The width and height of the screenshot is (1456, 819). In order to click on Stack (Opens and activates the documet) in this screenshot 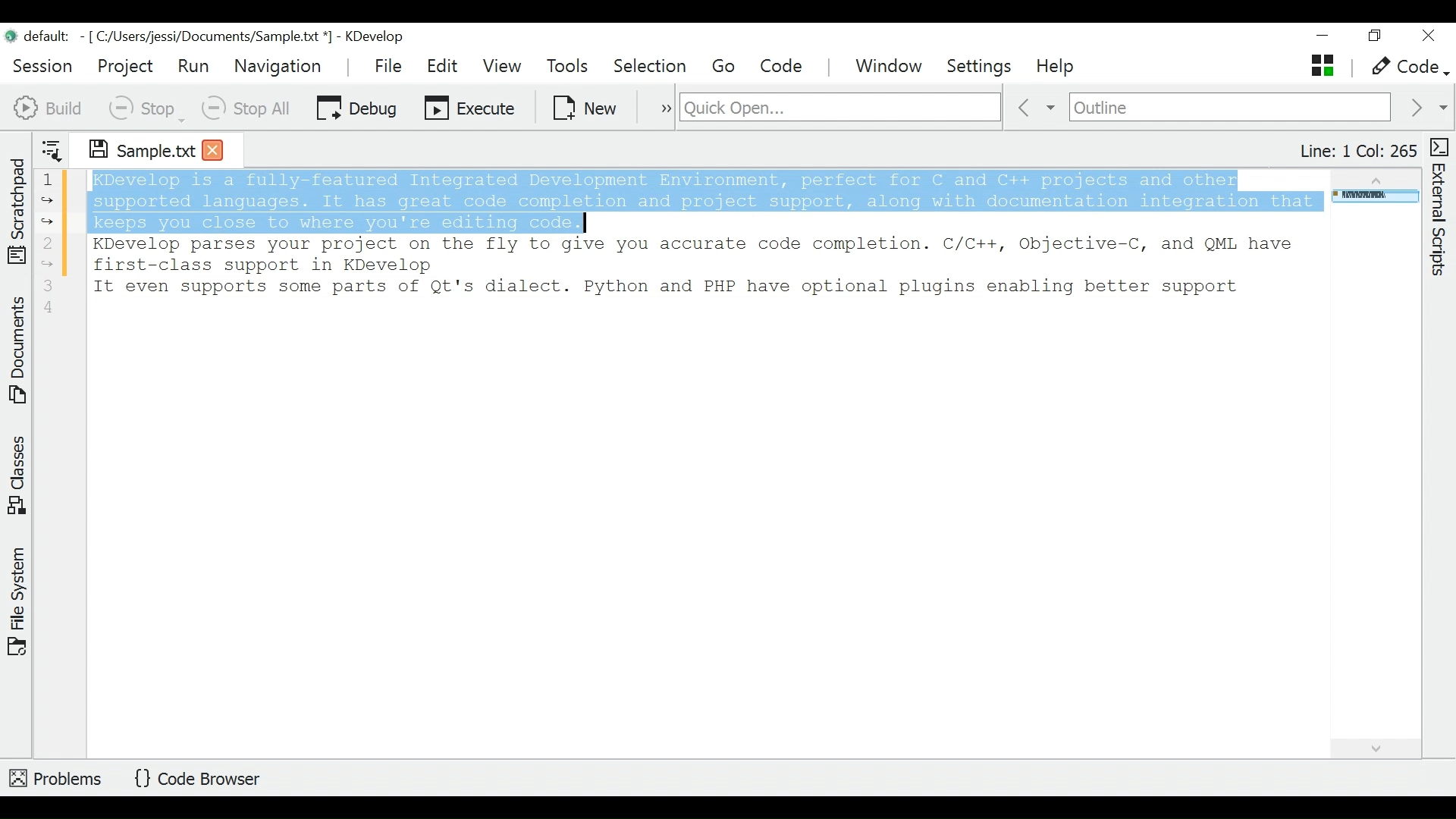, I will do `click(1321, 65)`.